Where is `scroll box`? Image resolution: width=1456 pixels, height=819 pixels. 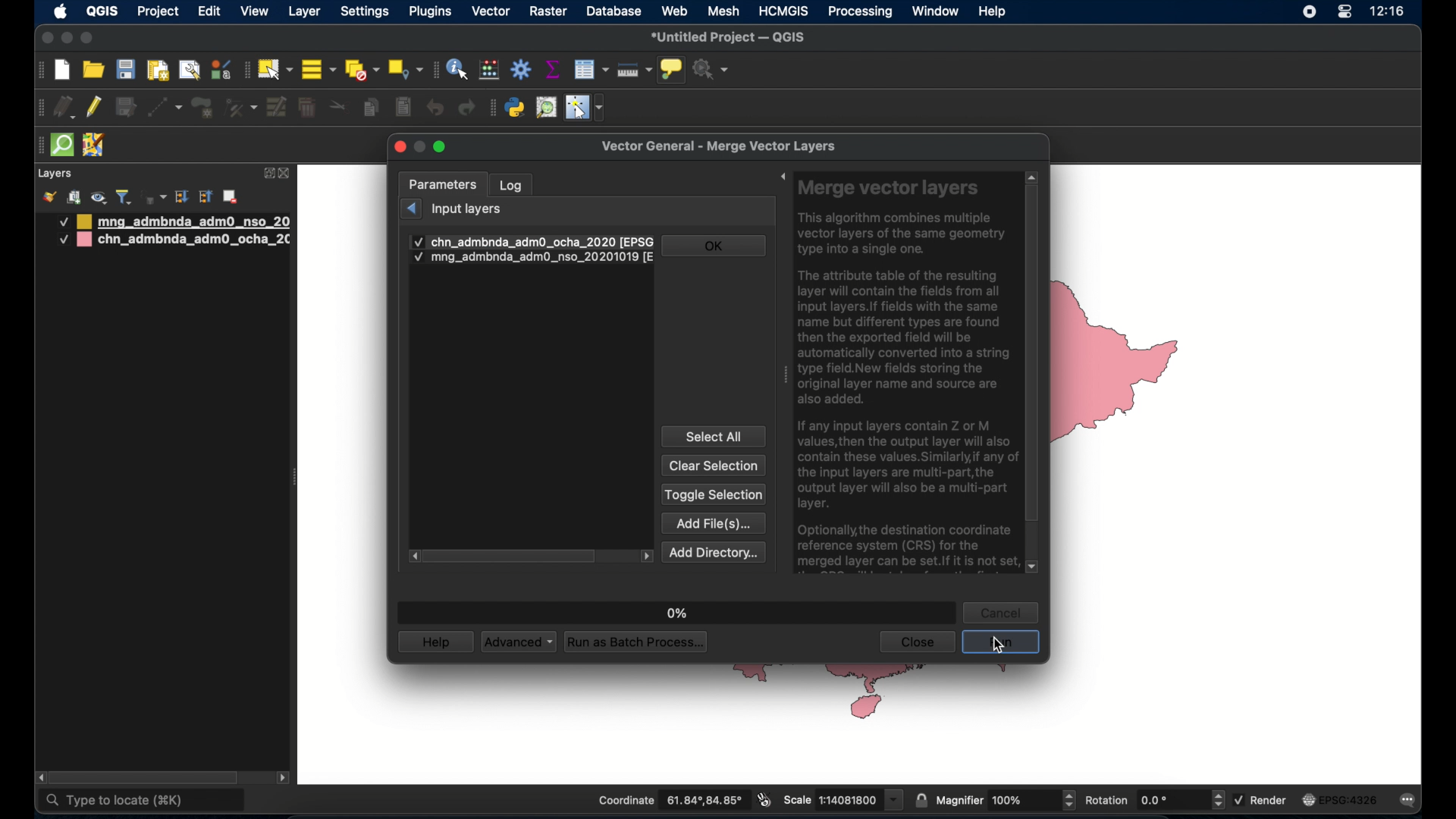 scroll box is located at coordinates (149, 777).